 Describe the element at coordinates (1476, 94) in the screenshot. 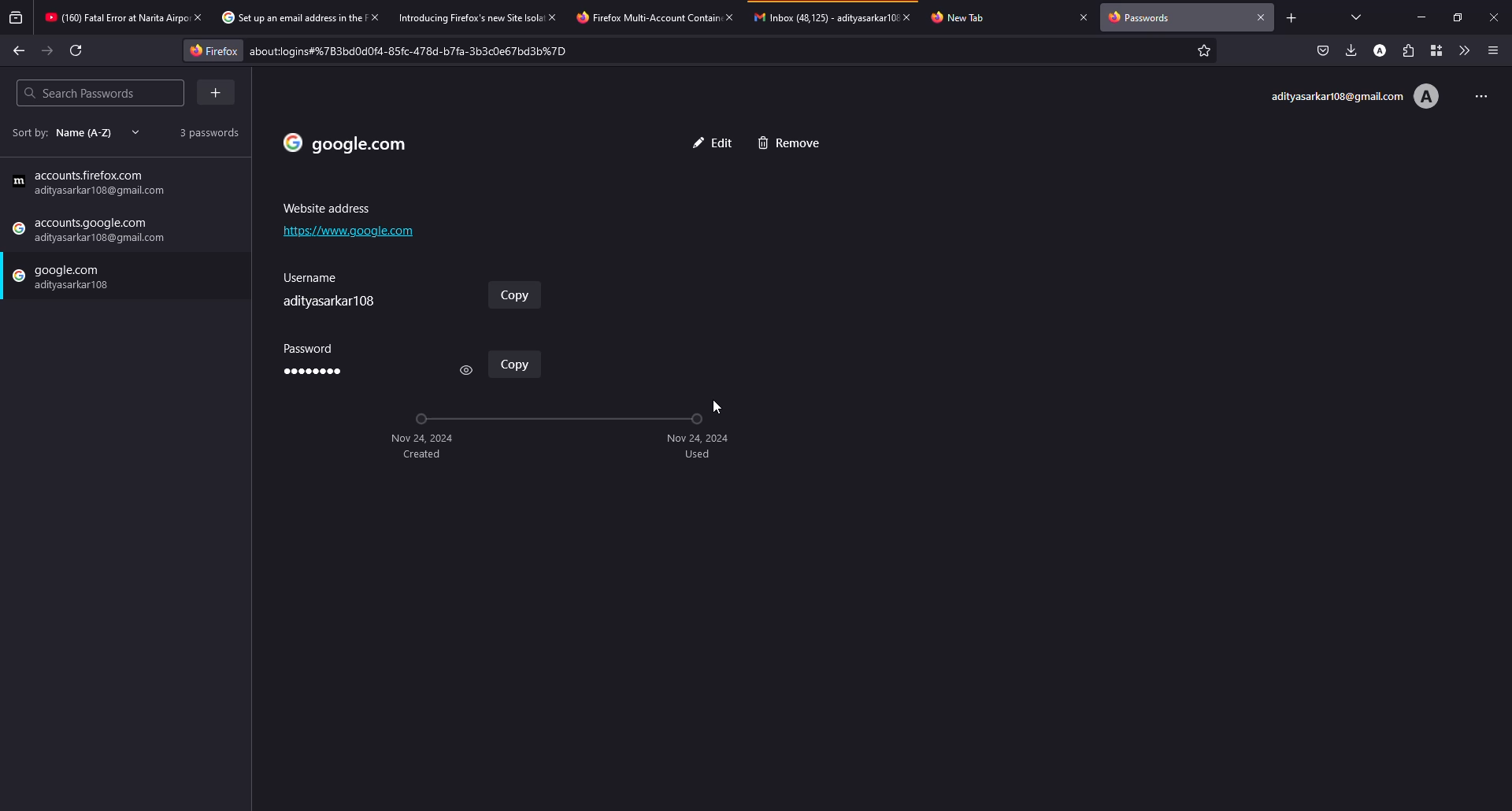

I see `more options` at that location.